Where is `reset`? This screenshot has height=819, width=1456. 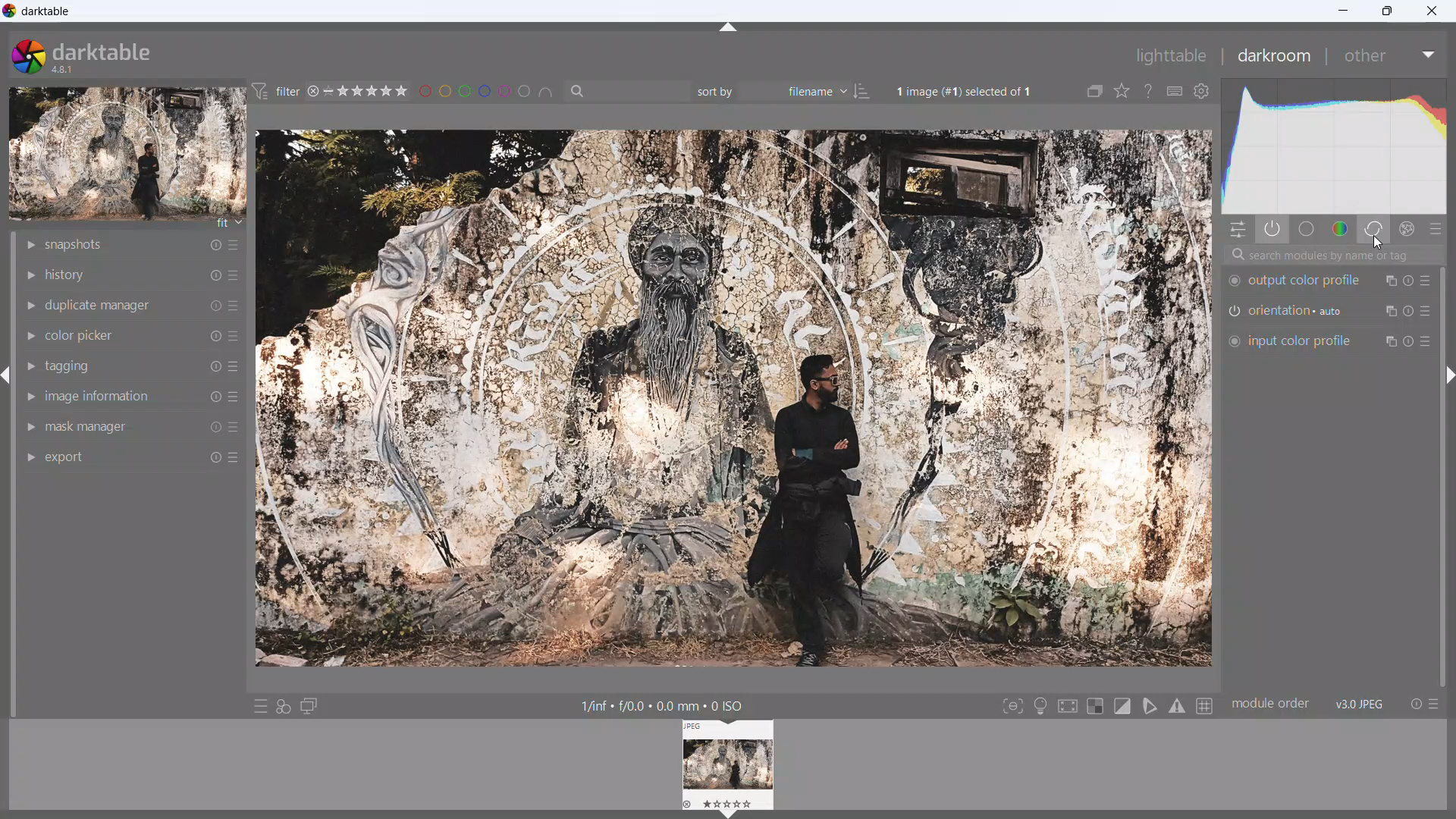 reset is located at coordinates (1416, 705).